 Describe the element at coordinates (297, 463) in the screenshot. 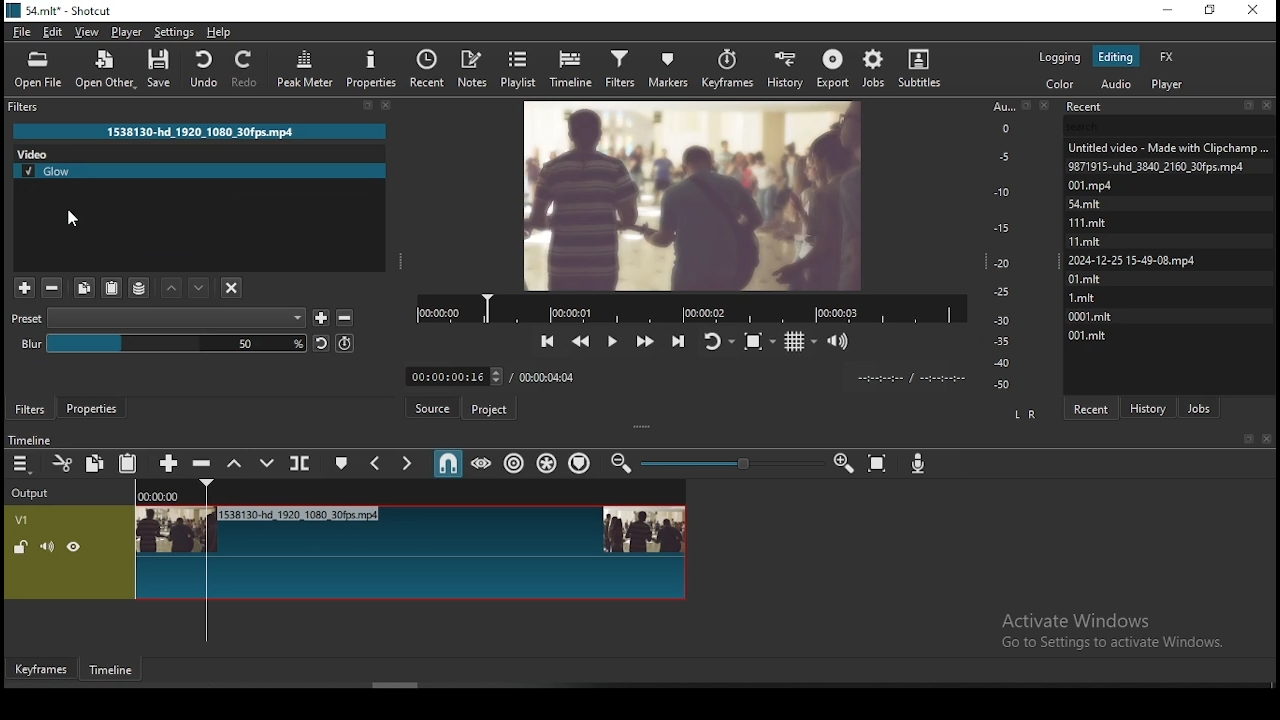

I see `split at playhead` at that location.